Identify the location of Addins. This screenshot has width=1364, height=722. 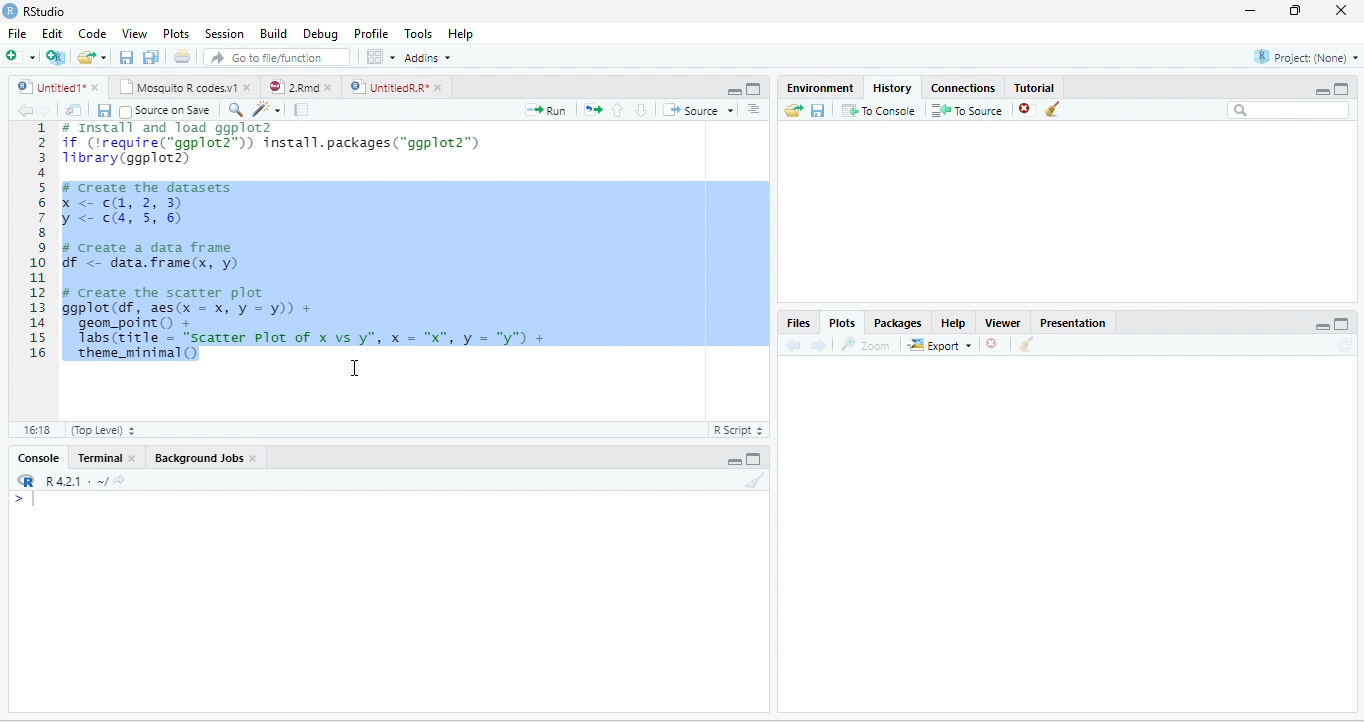
(426, 57).